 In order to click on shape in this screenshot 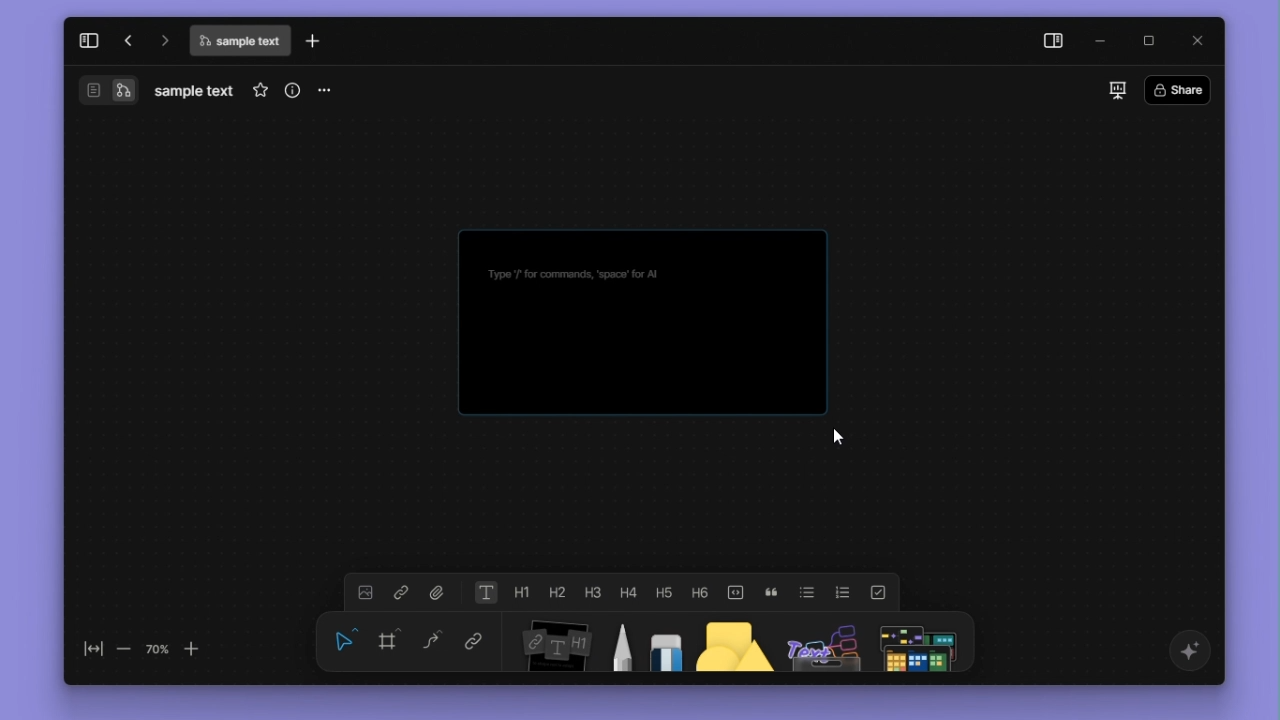, I will do `click(726, 644)`.